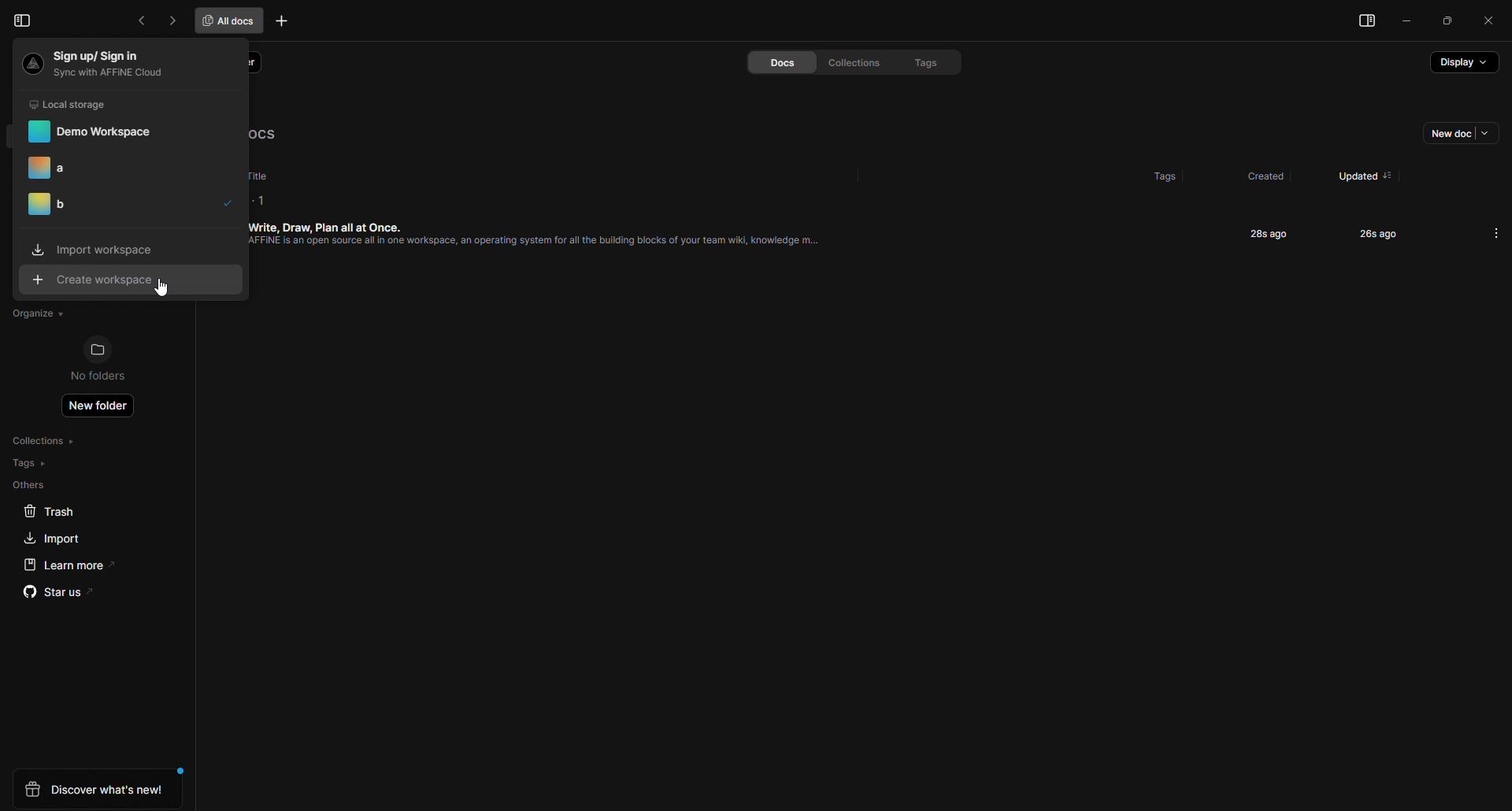 This screenshot has width=1512, height=811. What do you see at coordinates (550, 245) in the screenshot?
I see `write draw pull` at bounding box center [550, 245].